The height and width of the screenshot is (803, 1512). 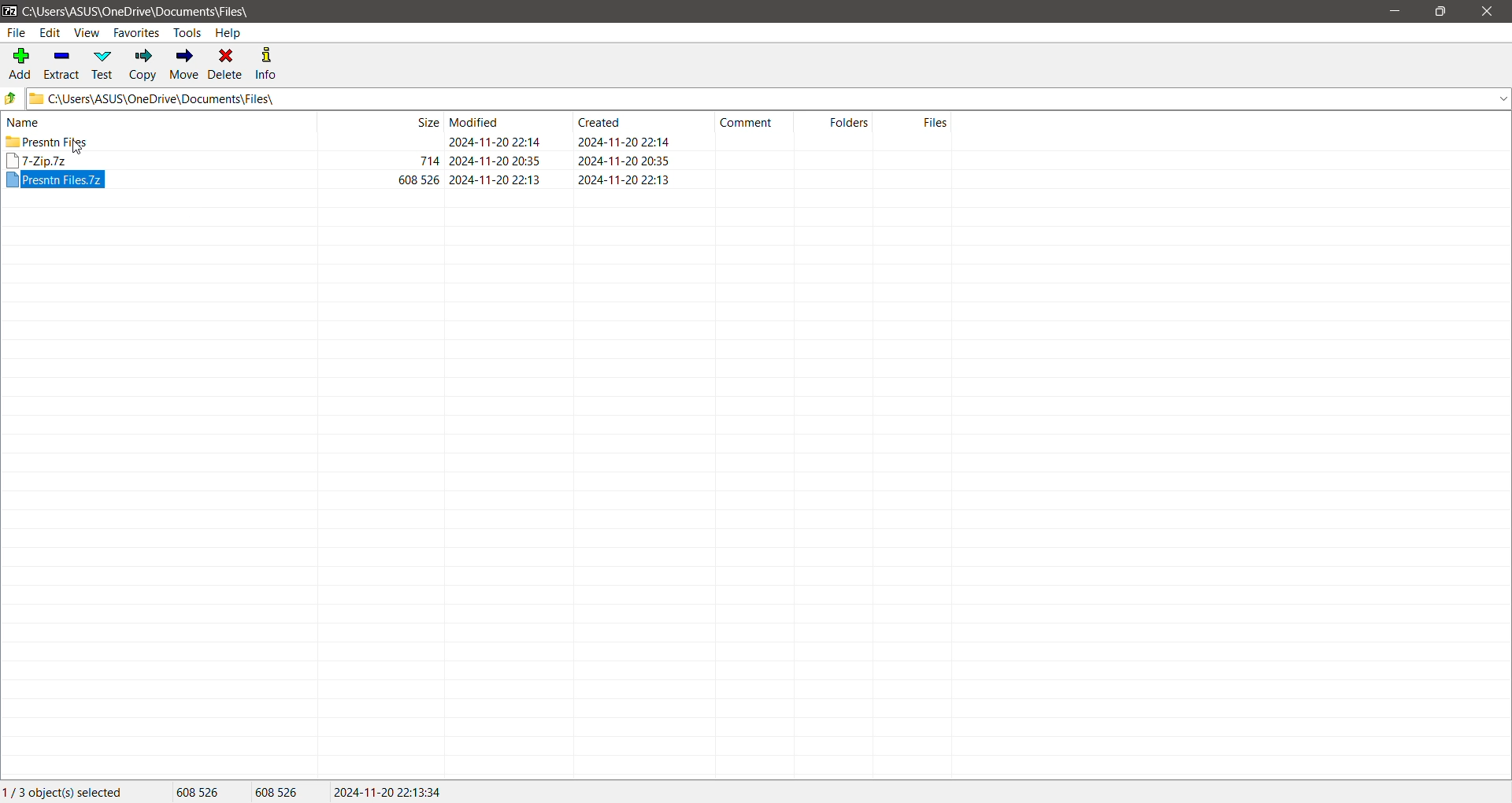 I want to click on Minimize, so click(x=1399, y=12).